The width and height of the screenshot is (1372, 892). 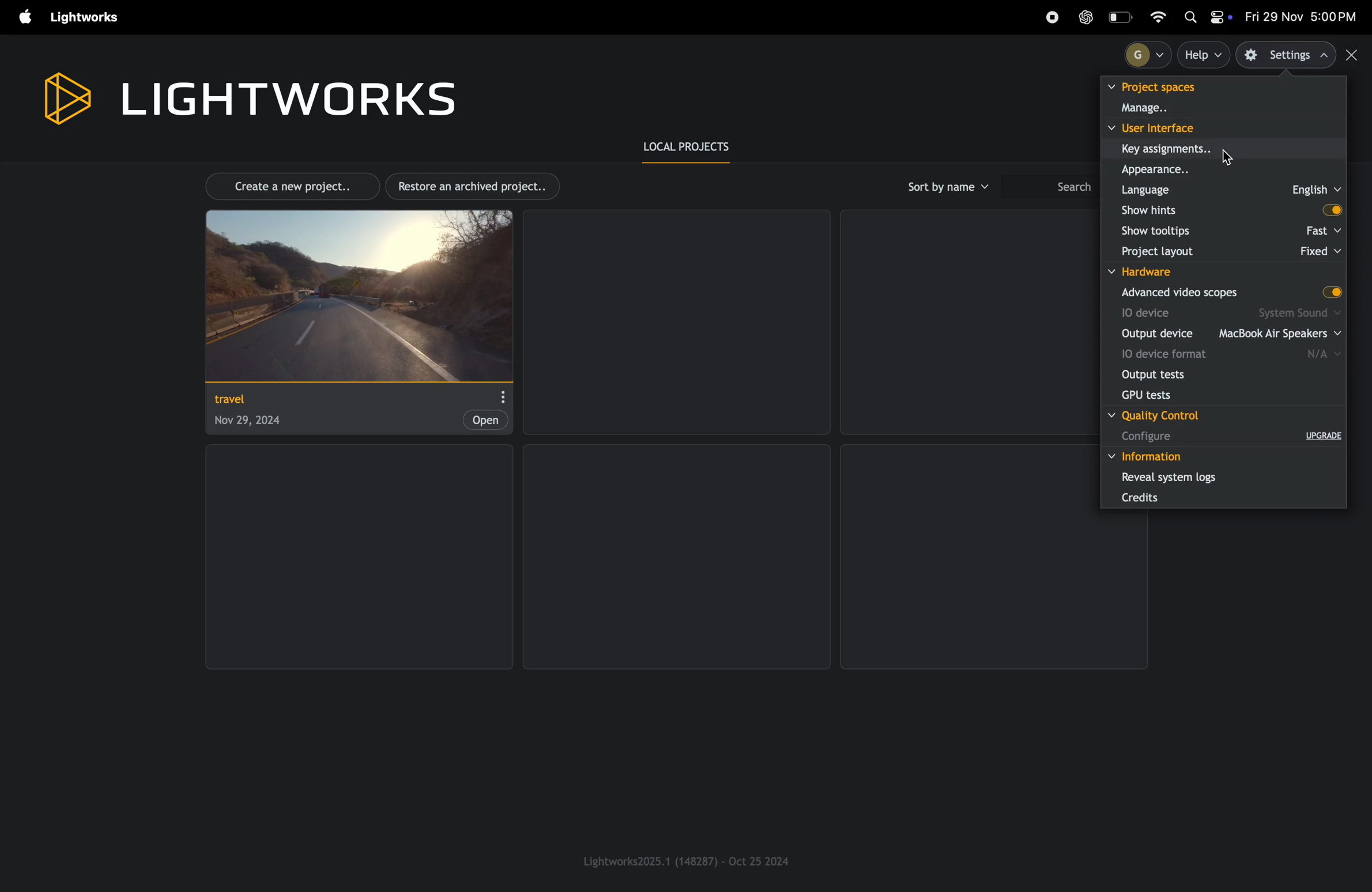 I want to click on manage, so click(x=1174, y=109).